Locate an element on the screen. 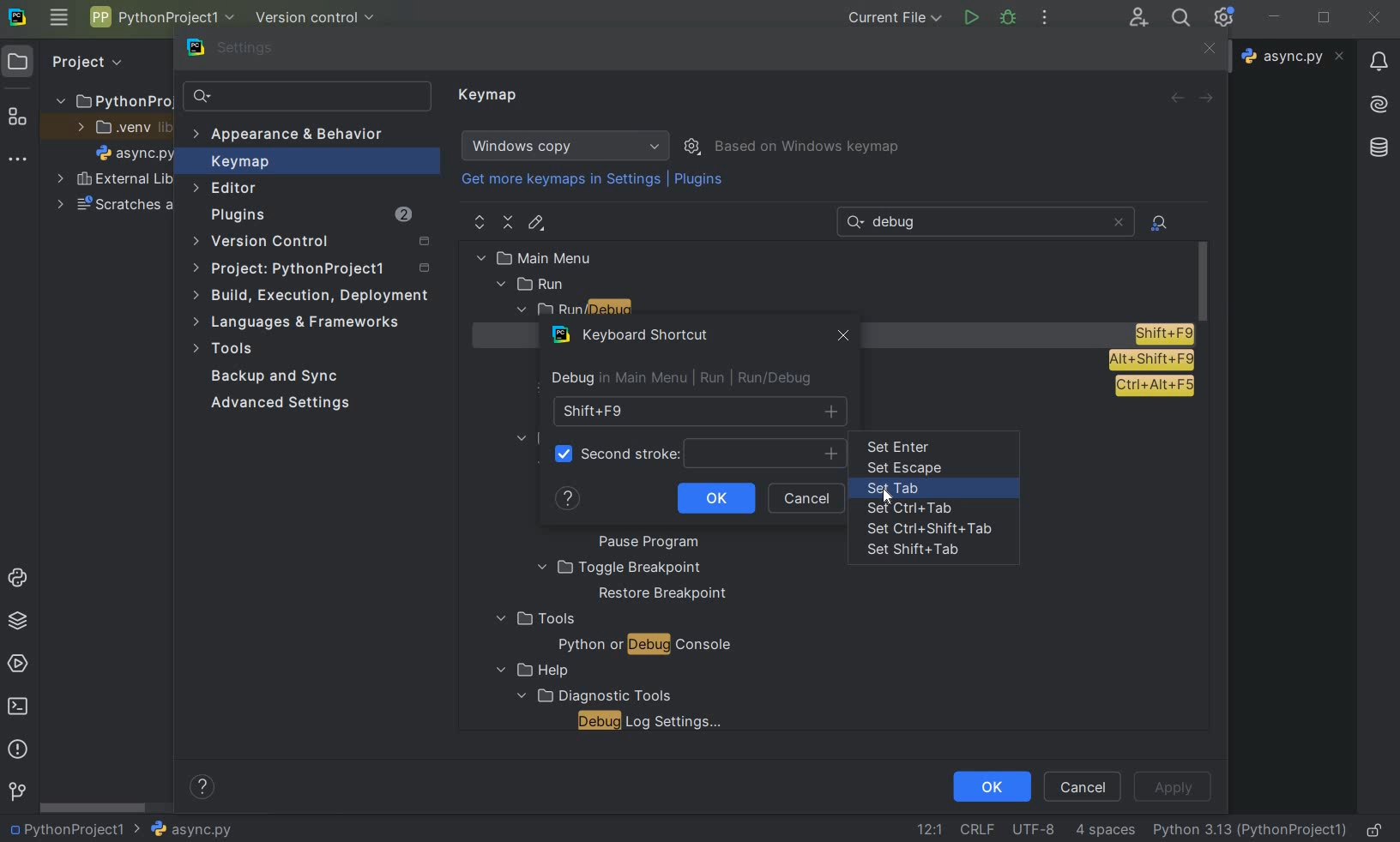 Image resolution: width=1400 pixels, height=842 pixels. plugins is located at coordinates (701, 183).